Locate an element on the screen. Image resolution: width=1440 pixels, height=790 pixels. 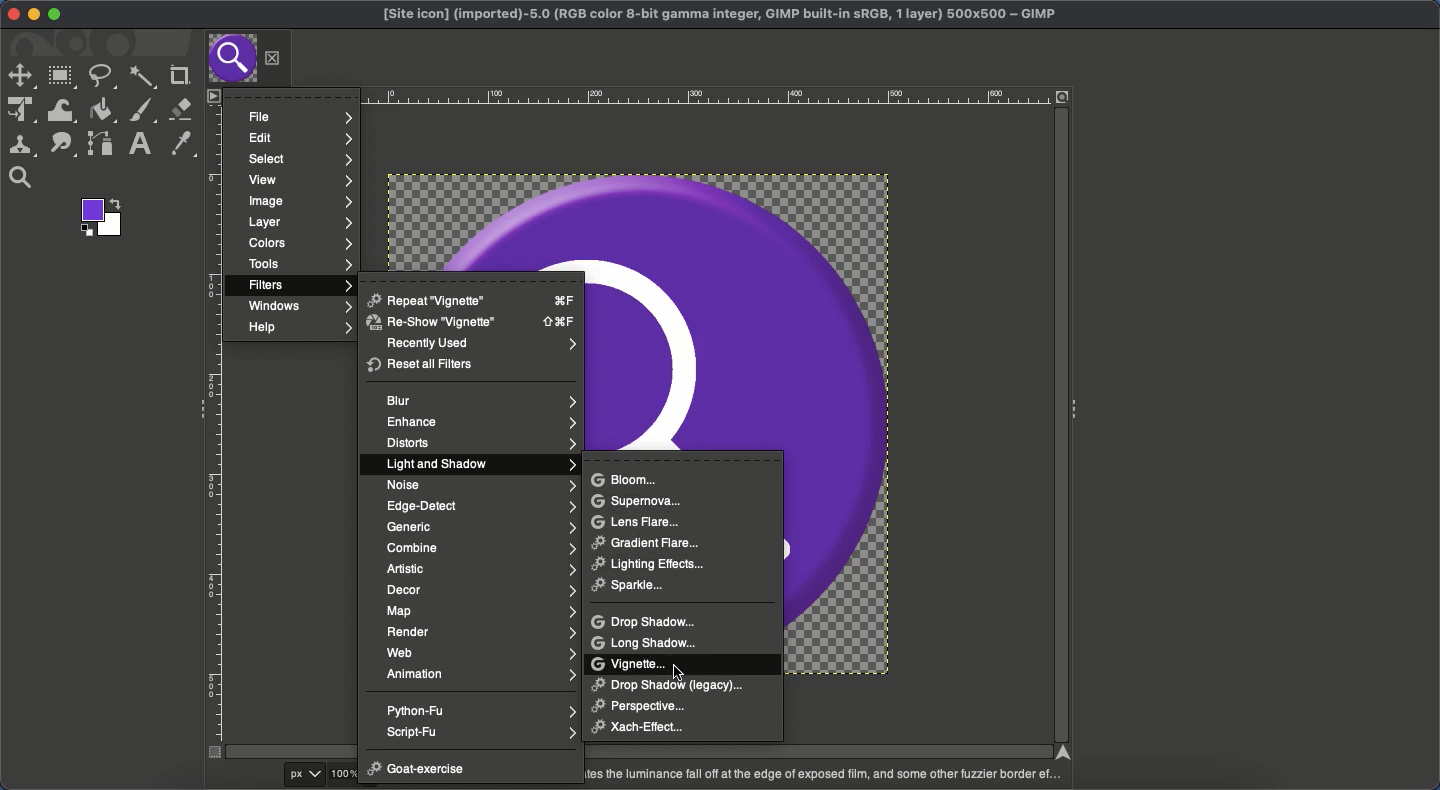
Distorts is located at coordinates (479, 444).